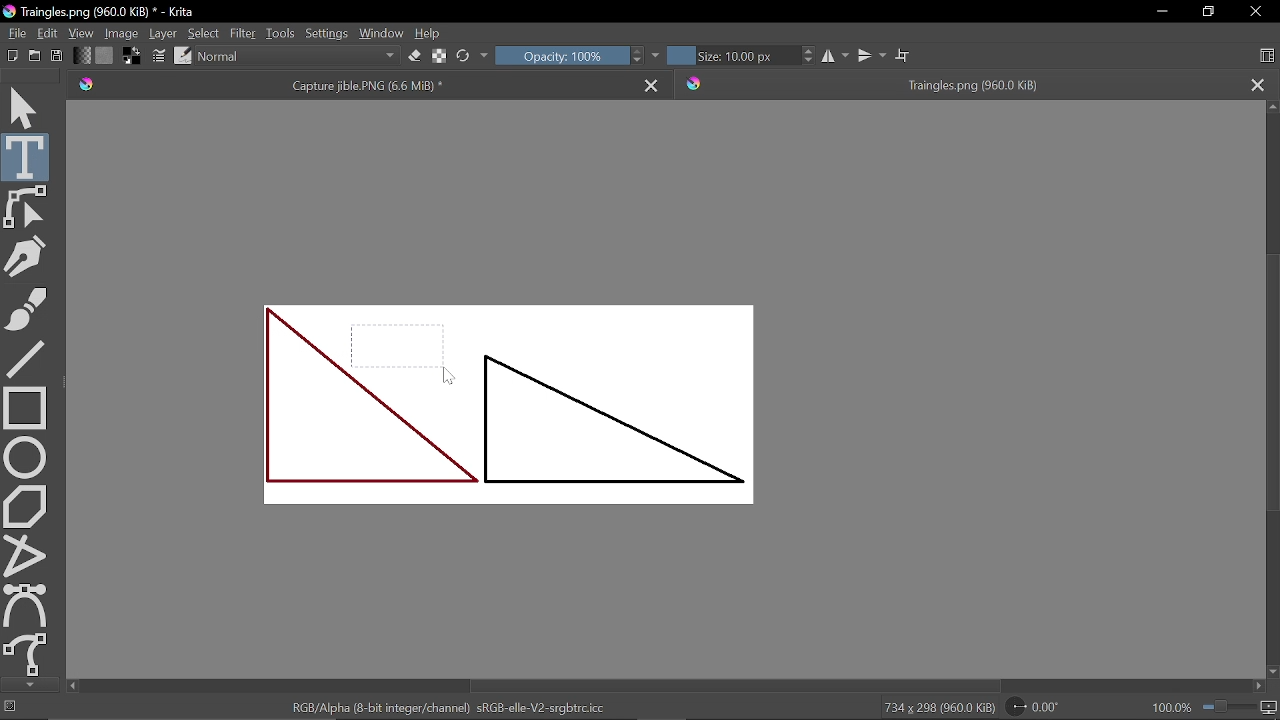 The height and width of the screenshot is (720, 1280). What do you see at coordinates (10, 57) in the screenshot?
I see `New document ` at bounding box center [10, 57].